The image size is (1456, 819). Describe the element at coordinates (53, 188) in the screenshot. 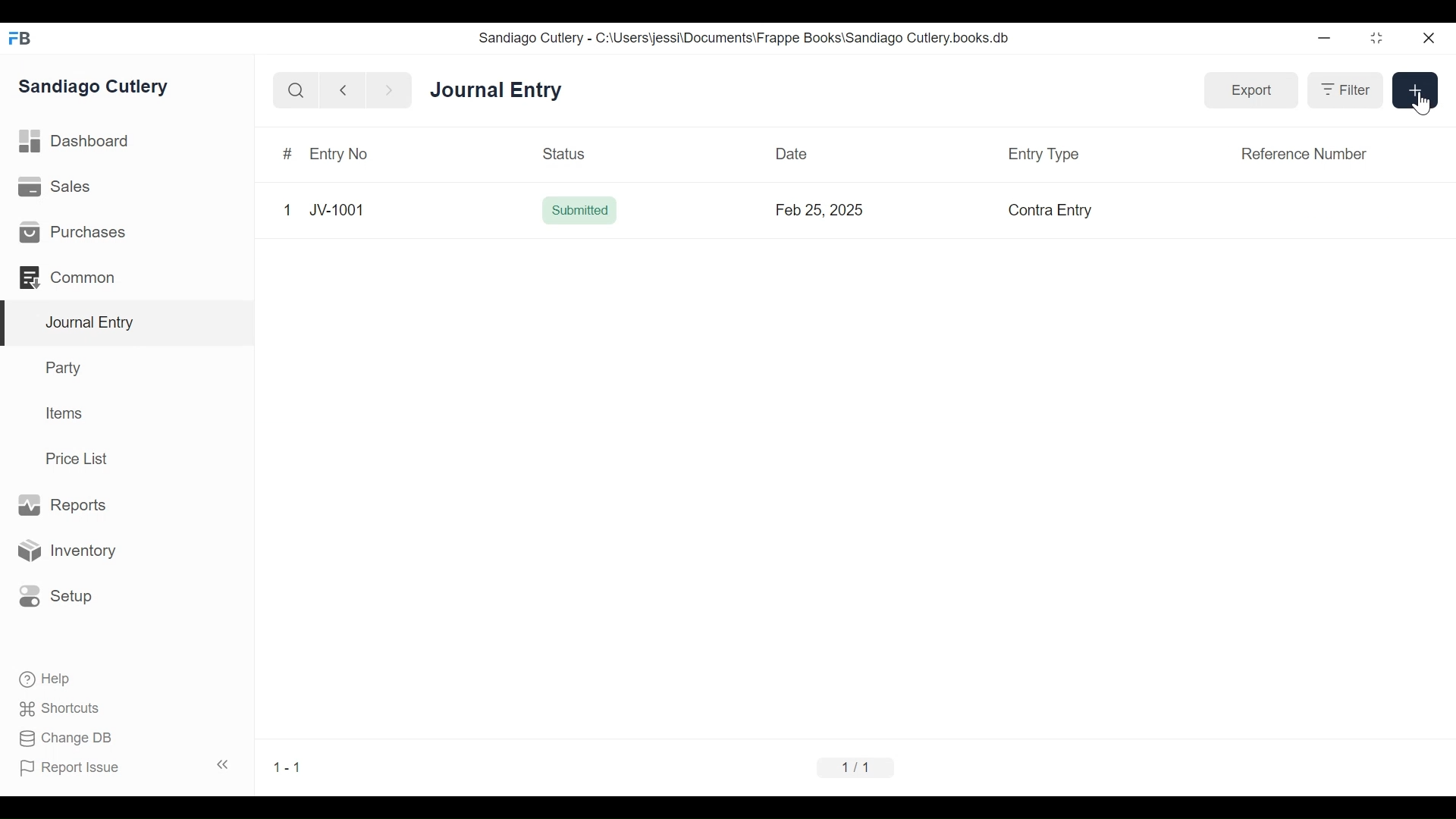

I see `Sales` at that location.